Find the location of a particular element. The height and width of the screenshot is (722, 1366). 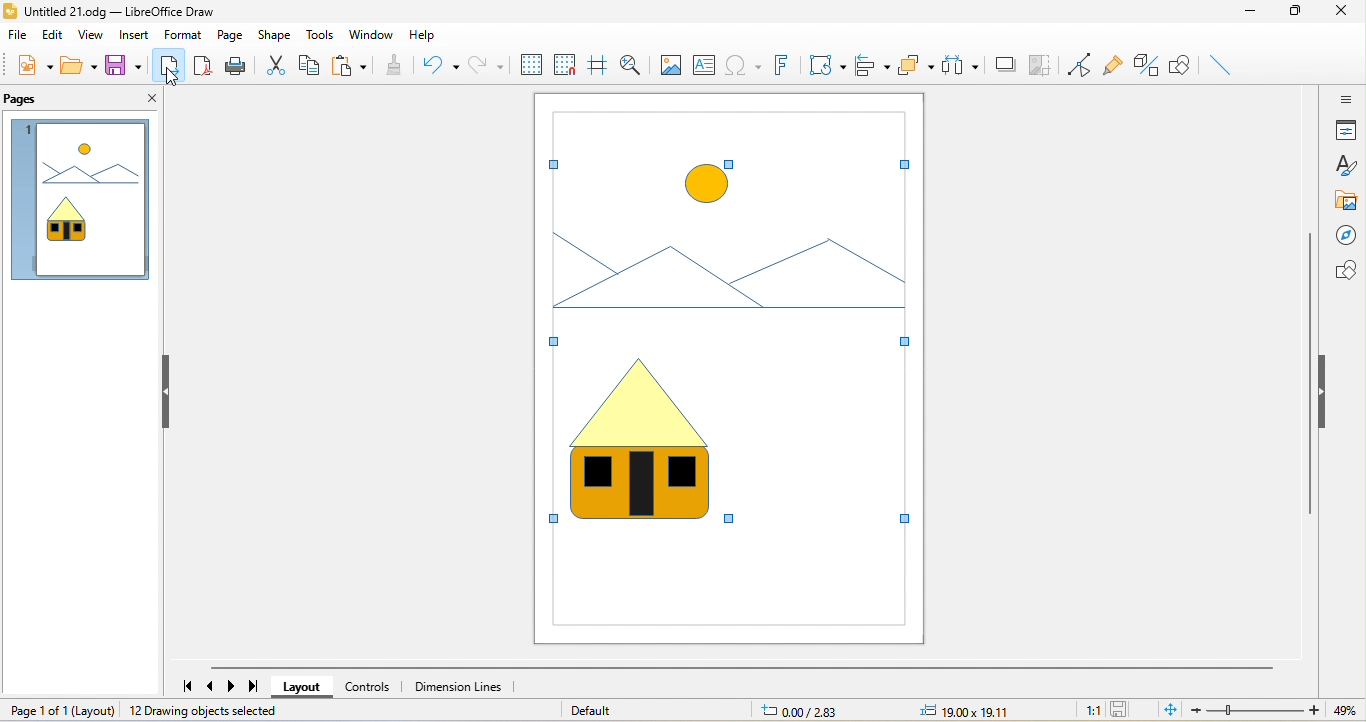

default is located at coordinates (593, 710).